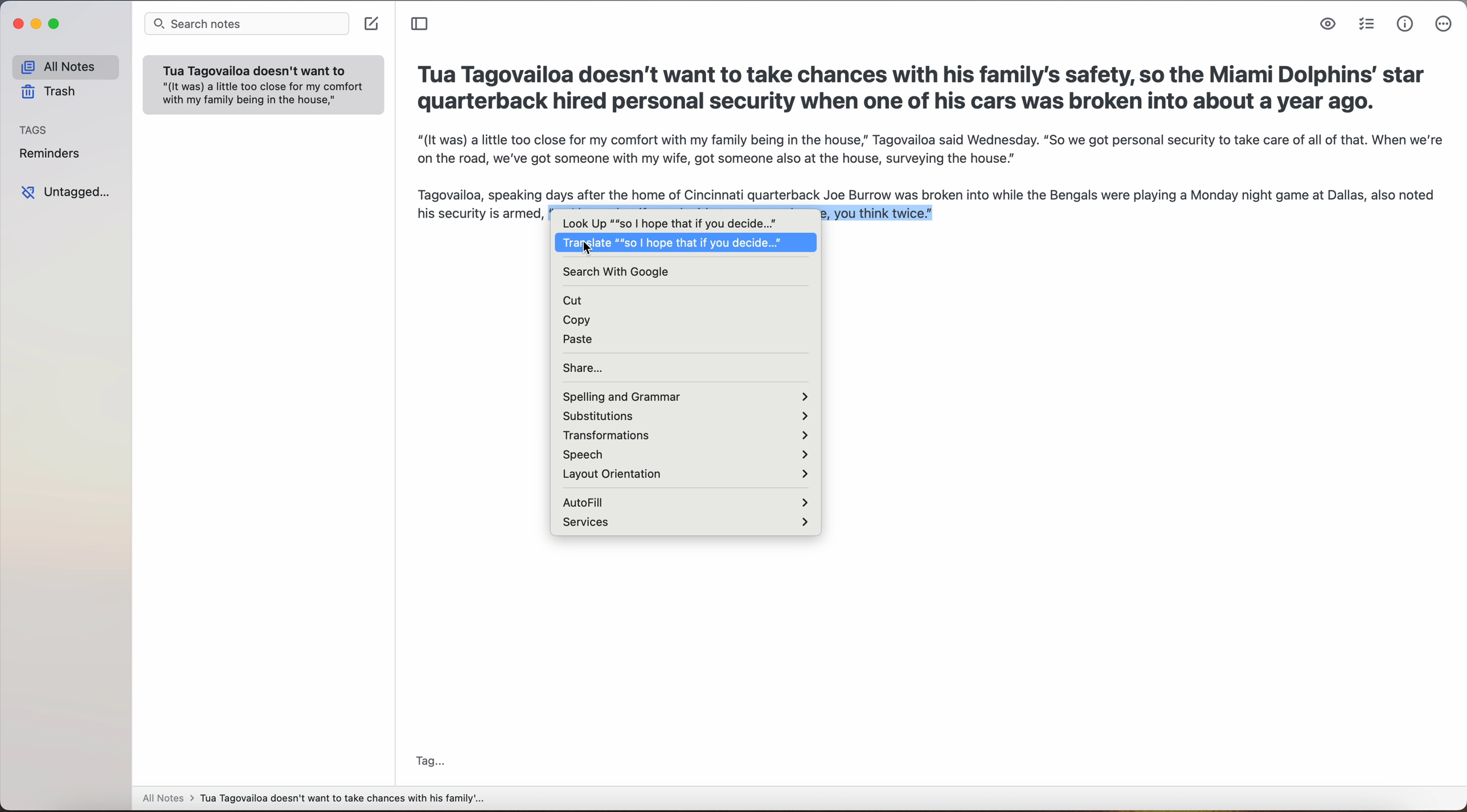  I want to click on speech, so click(686, 454).